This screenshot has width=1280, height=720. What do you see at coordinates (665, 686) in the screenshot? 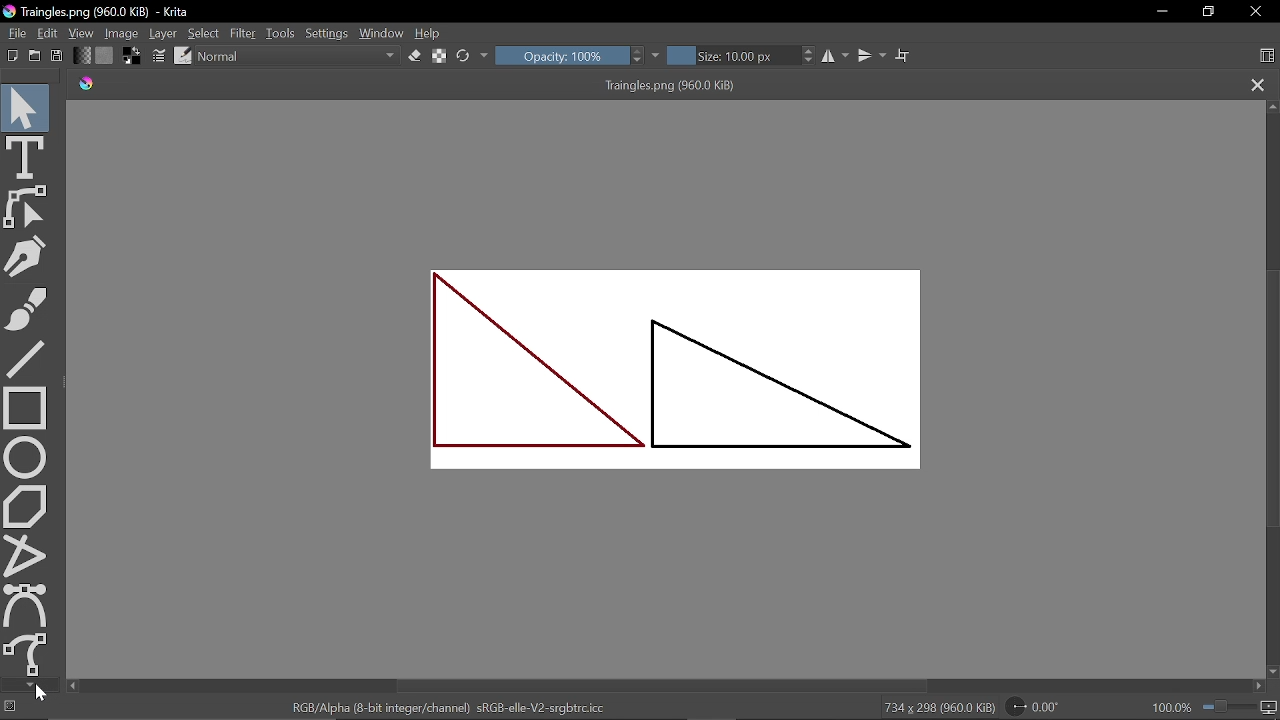
I see `Vertical scrollbar` at bounding box center [665, 686].